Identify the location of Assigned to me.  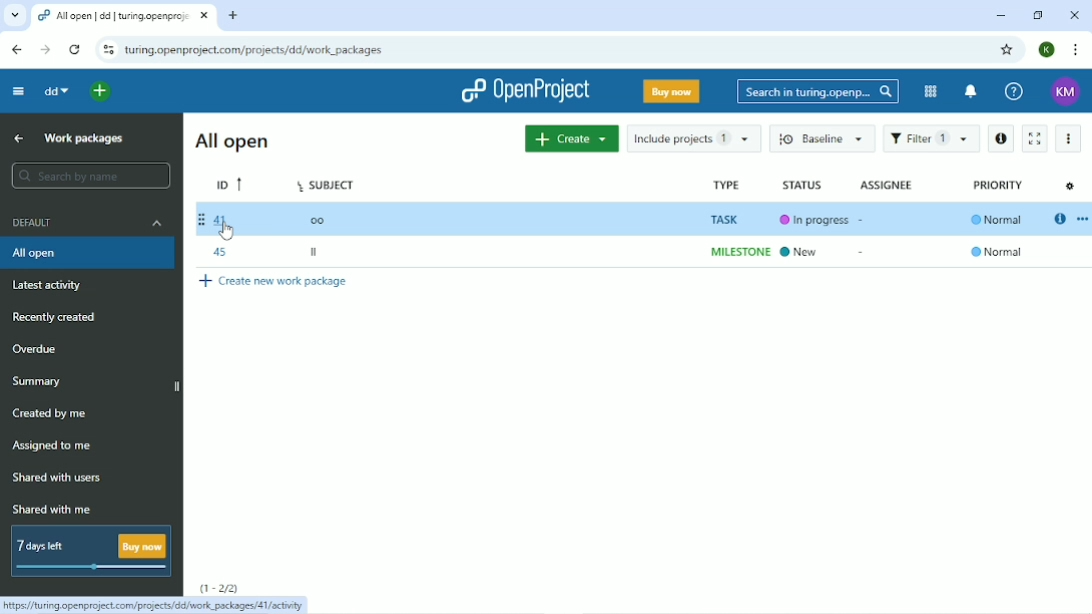
(55, 445).